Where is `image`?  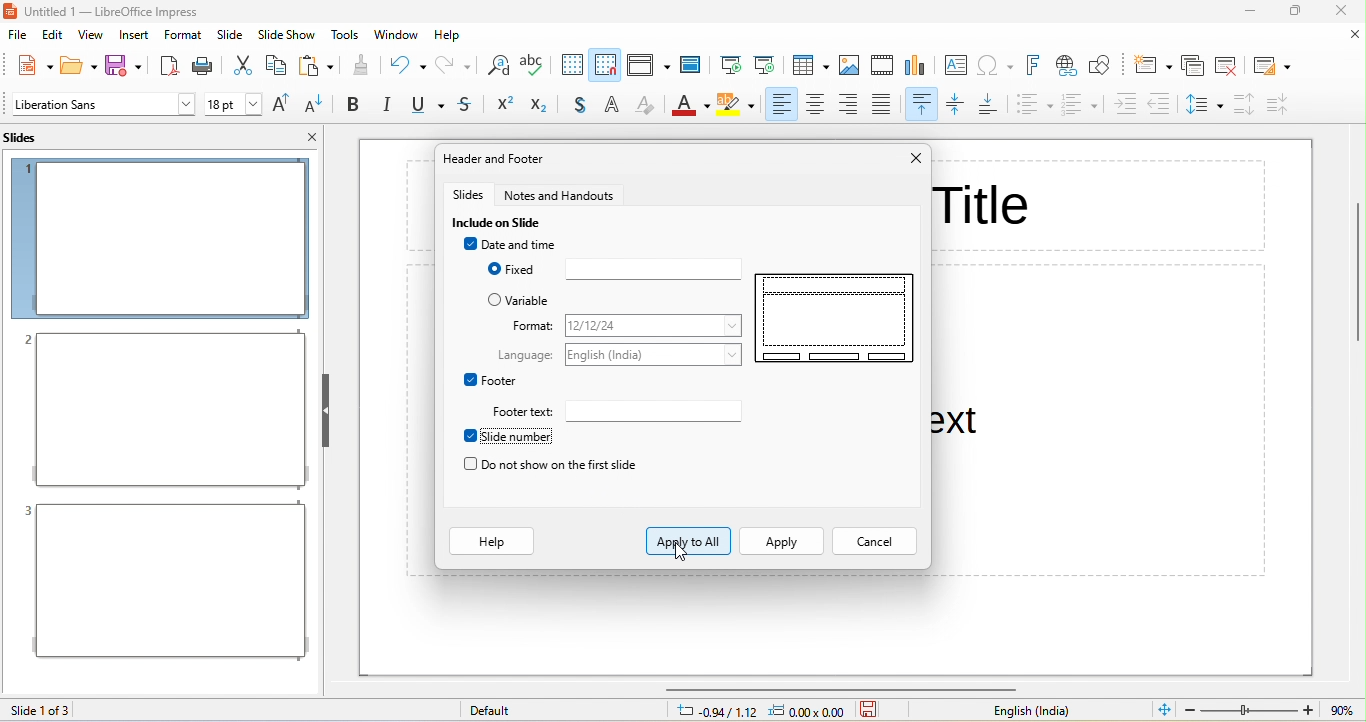
image is located at coordinates (851, 66).